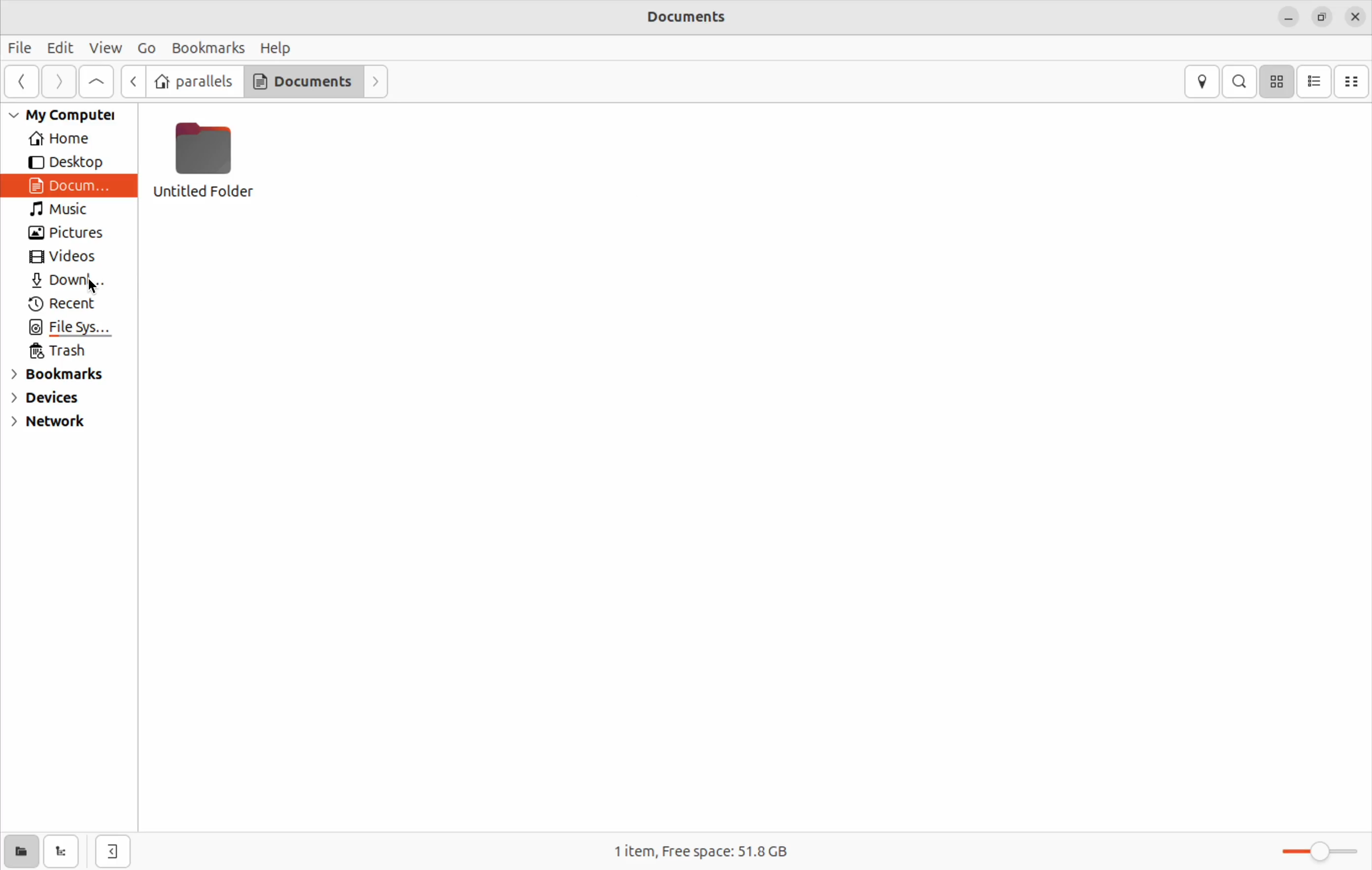  What do you see at coordinates (1322, 16) in the screenshot?
I see `resize` at bounding box center [1322, 16].